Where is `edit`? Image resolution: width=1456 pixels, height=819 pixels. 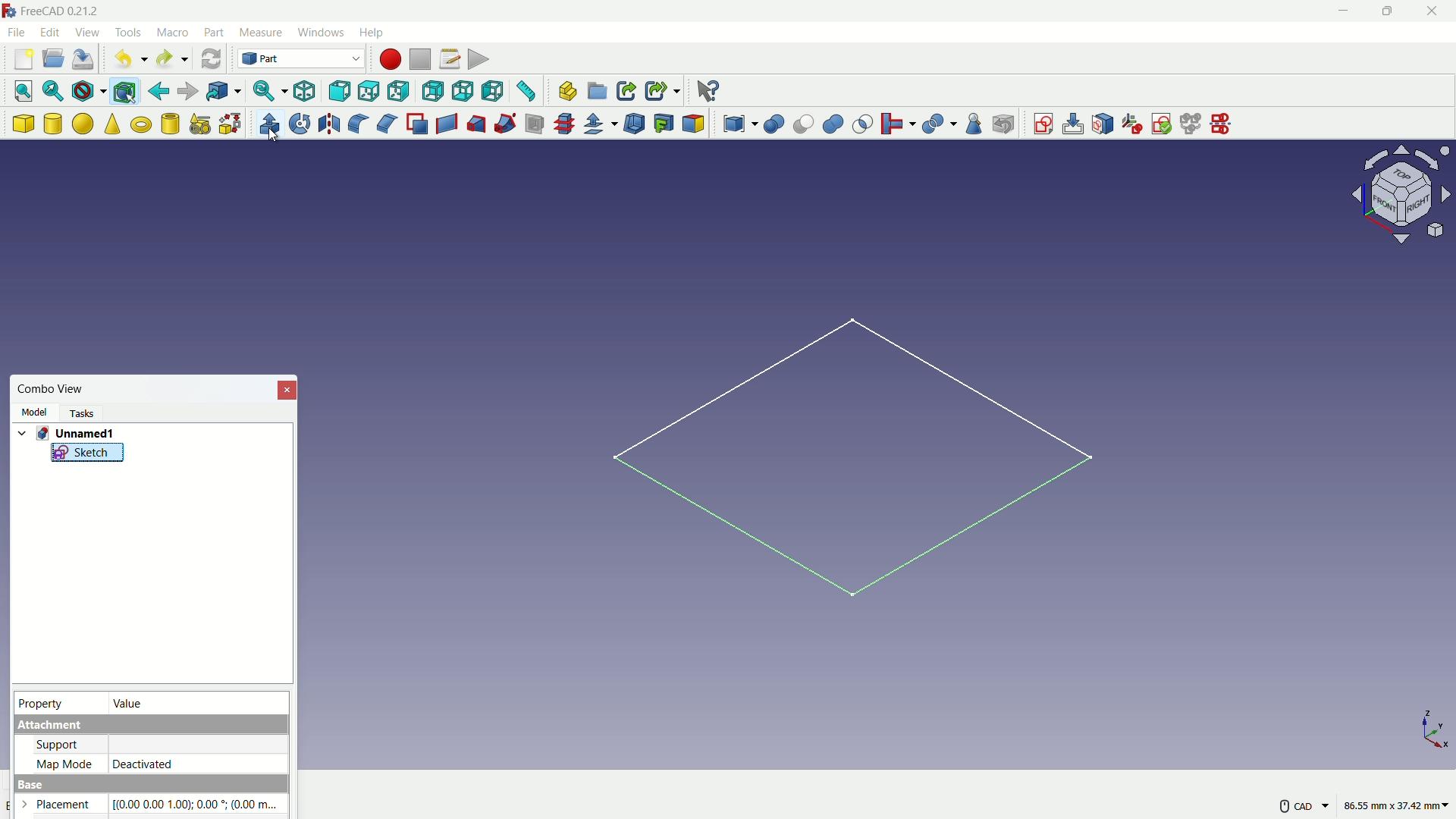
edit is located at coordinates (50, 33).